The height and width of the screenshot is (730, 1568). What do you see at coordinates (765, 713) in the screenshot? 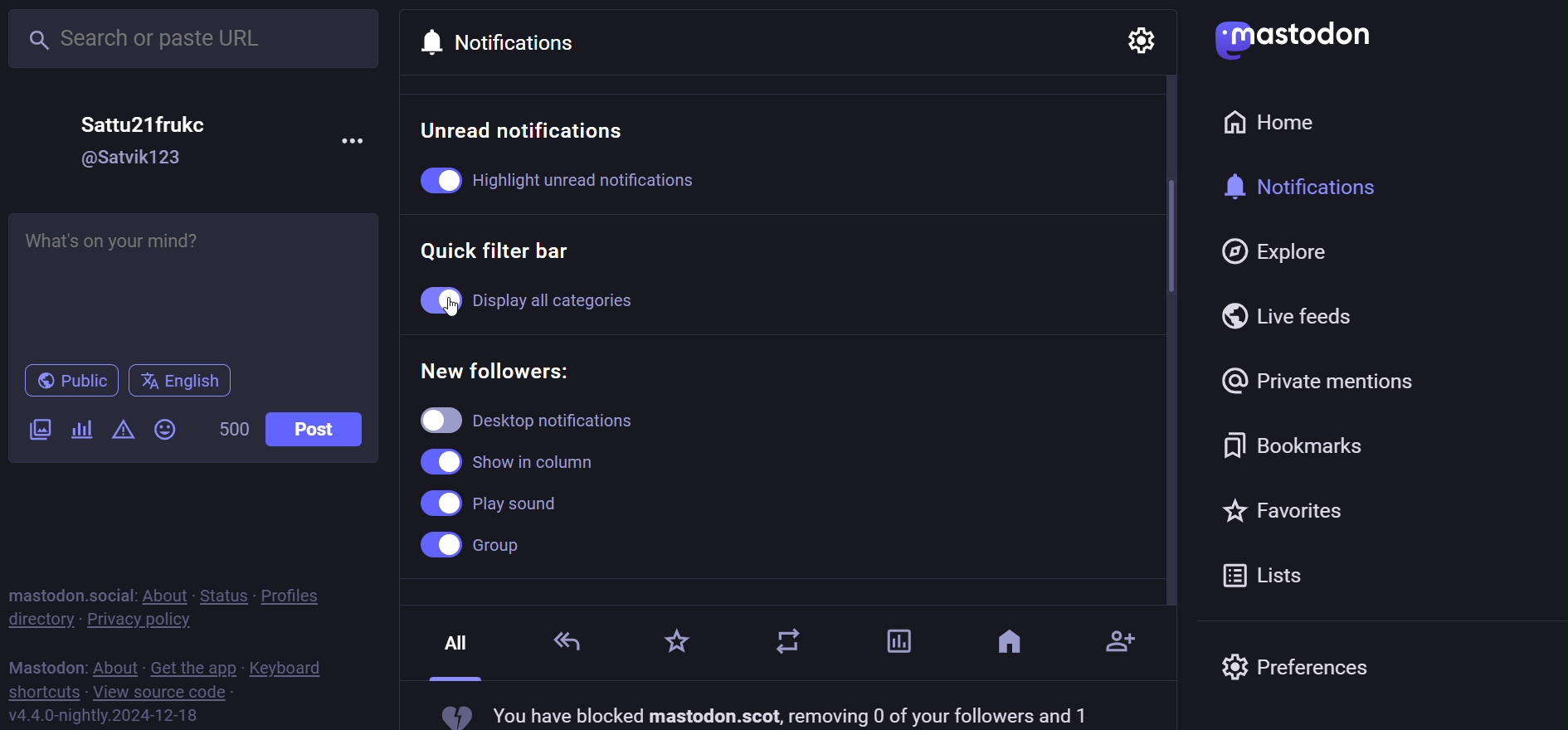
I see `You have blocked mastodon scot removina 0 of vour followers and 1` at bounding box center [765, 713].